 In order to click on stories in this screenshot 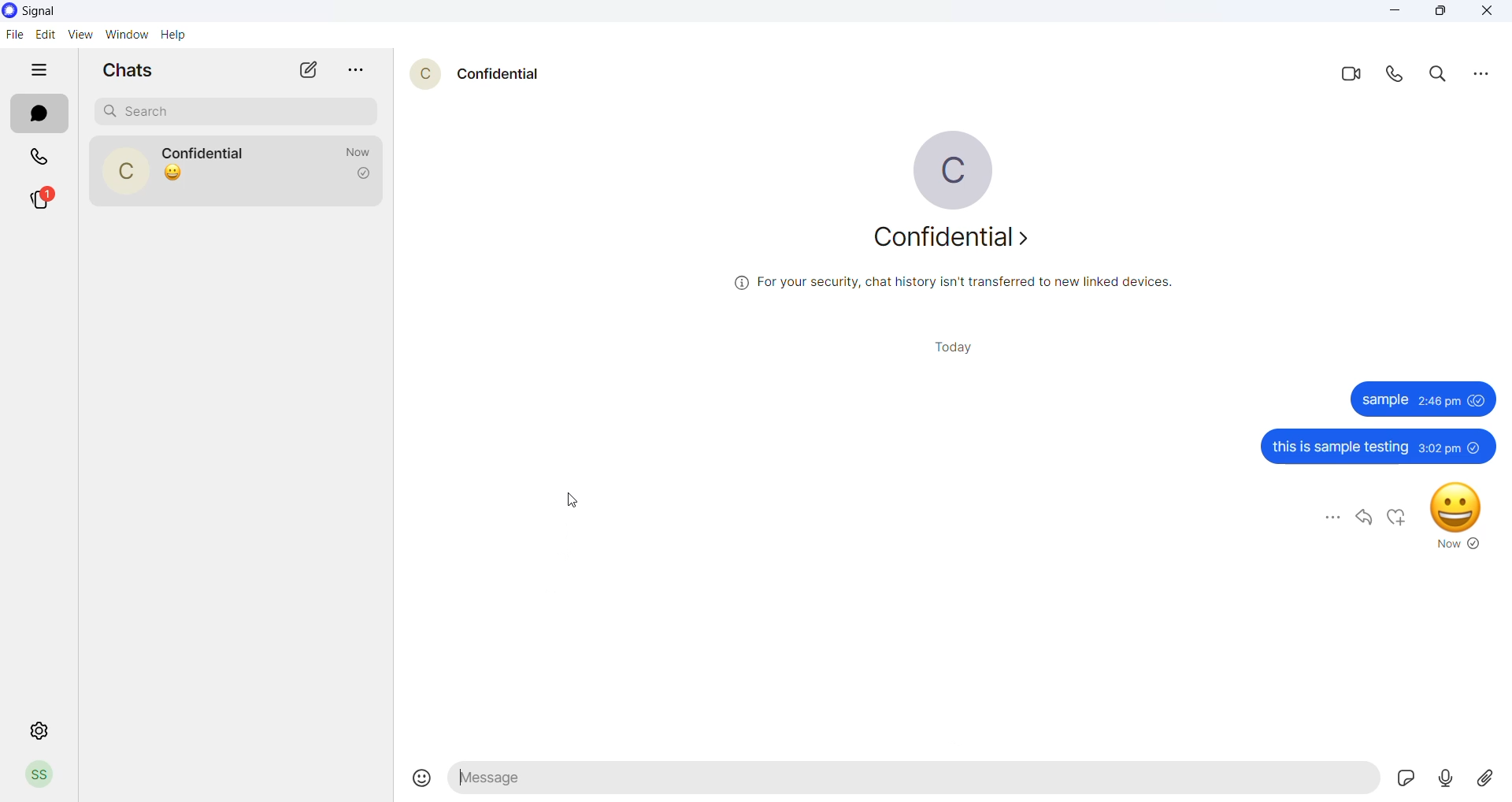, I will do `click(43, 199)`.